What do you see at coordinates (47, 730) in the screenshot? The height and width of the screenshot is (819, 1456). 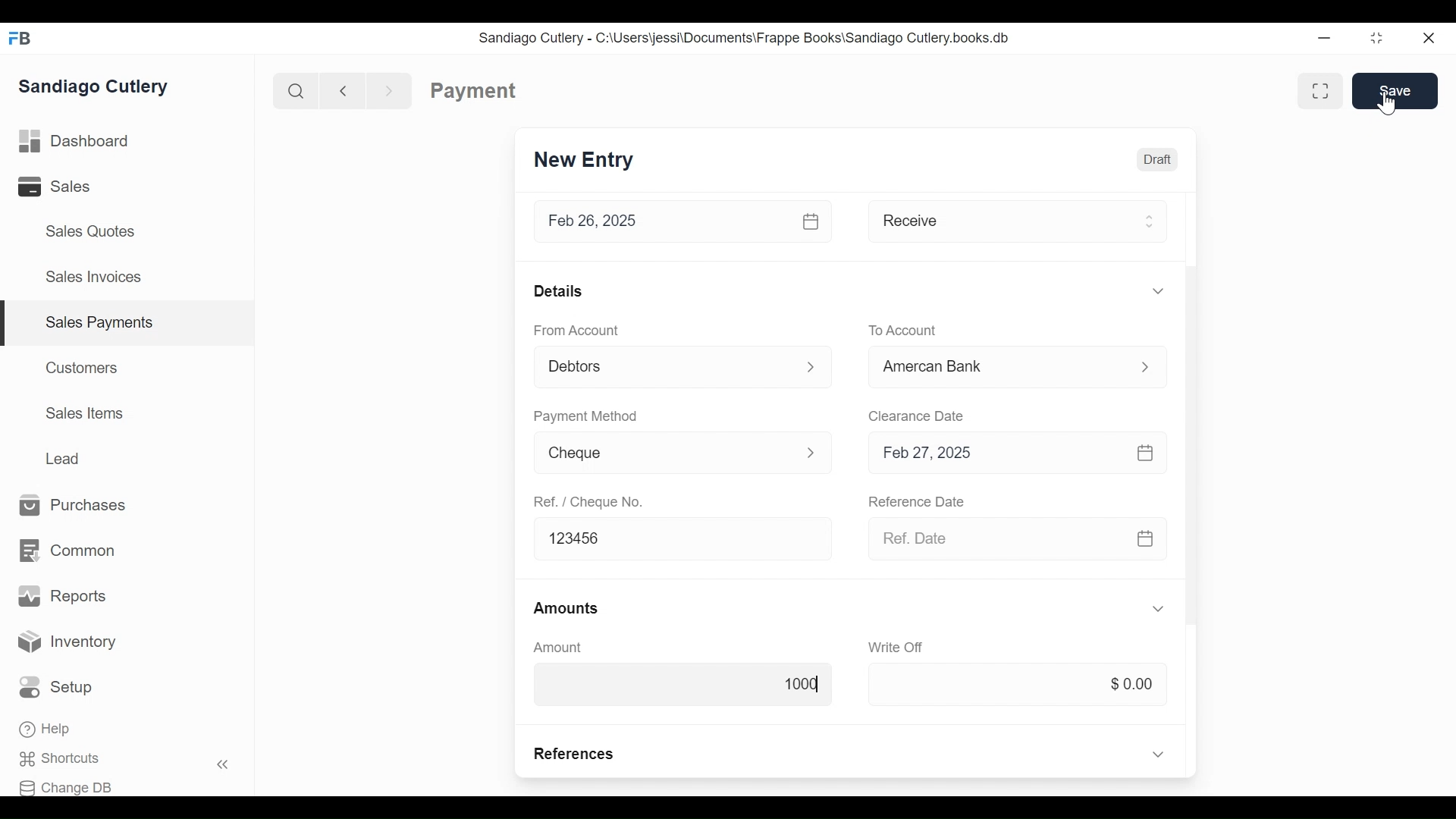 I see `Help` at bounding box center [47, 730].